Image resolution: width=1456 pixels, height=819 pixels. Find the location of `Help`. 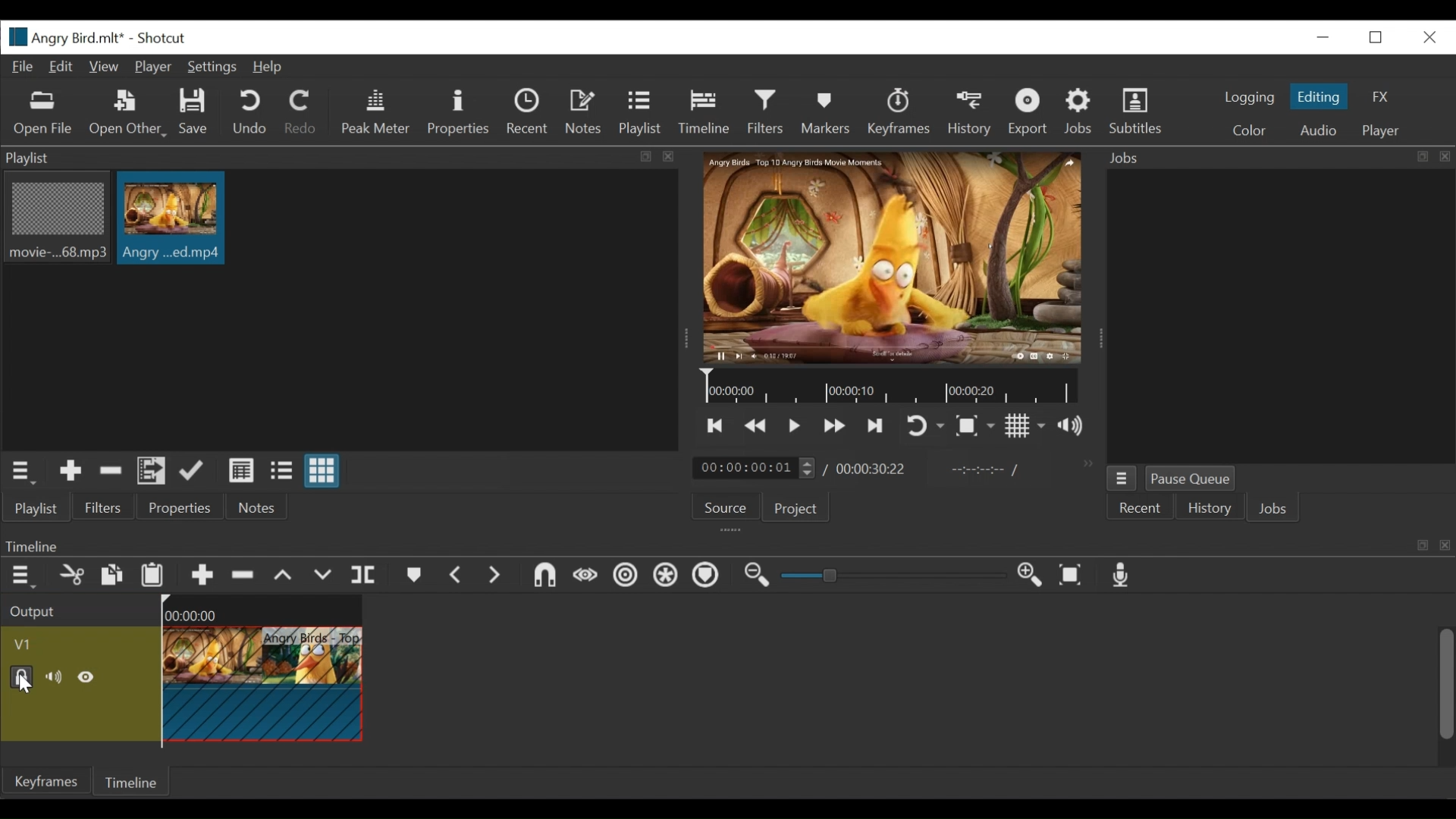

Help is located at coordinates (269, 68).